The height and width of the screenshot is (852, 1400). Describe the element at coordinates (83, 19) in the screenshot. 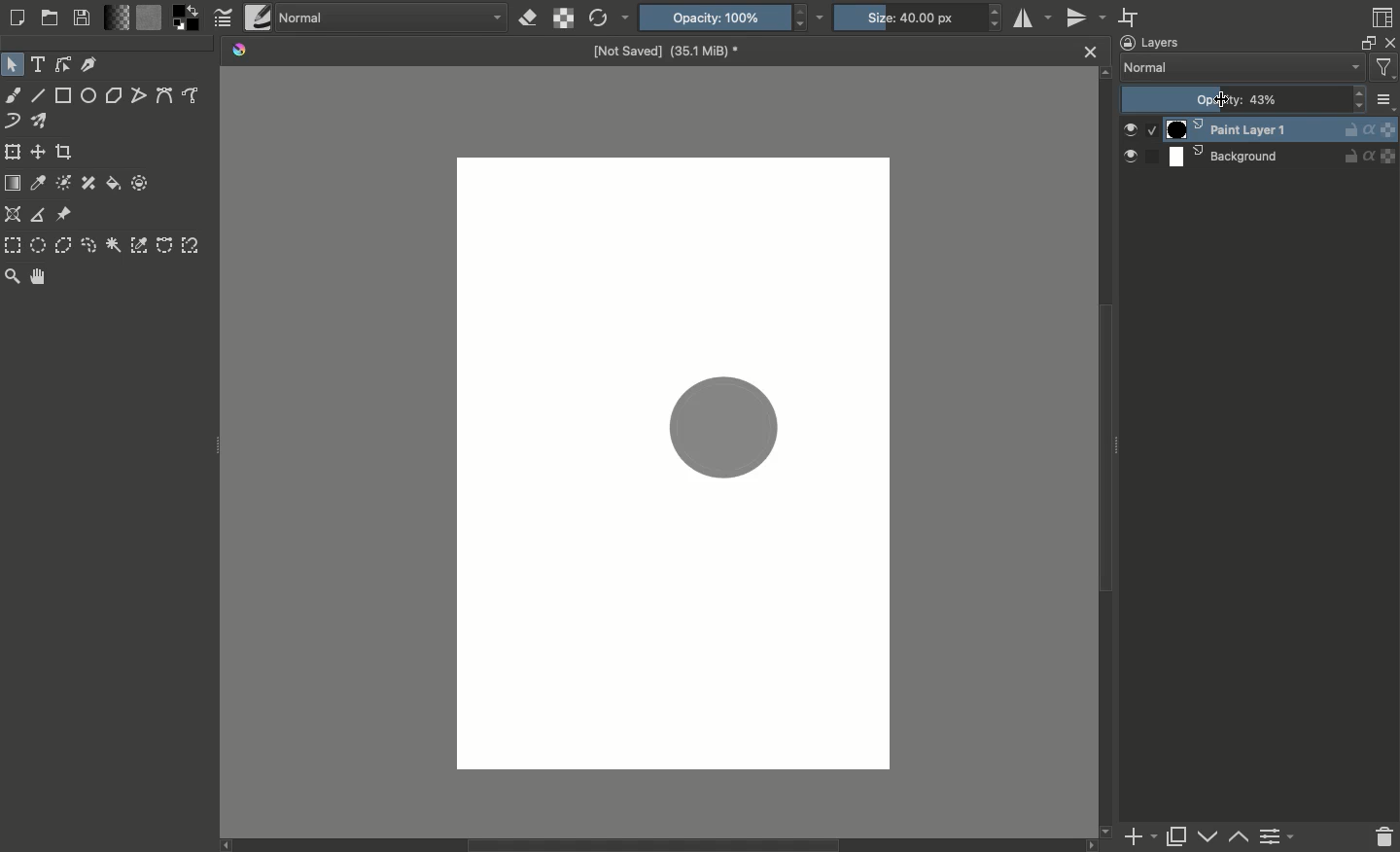

I see `Save` at that location.